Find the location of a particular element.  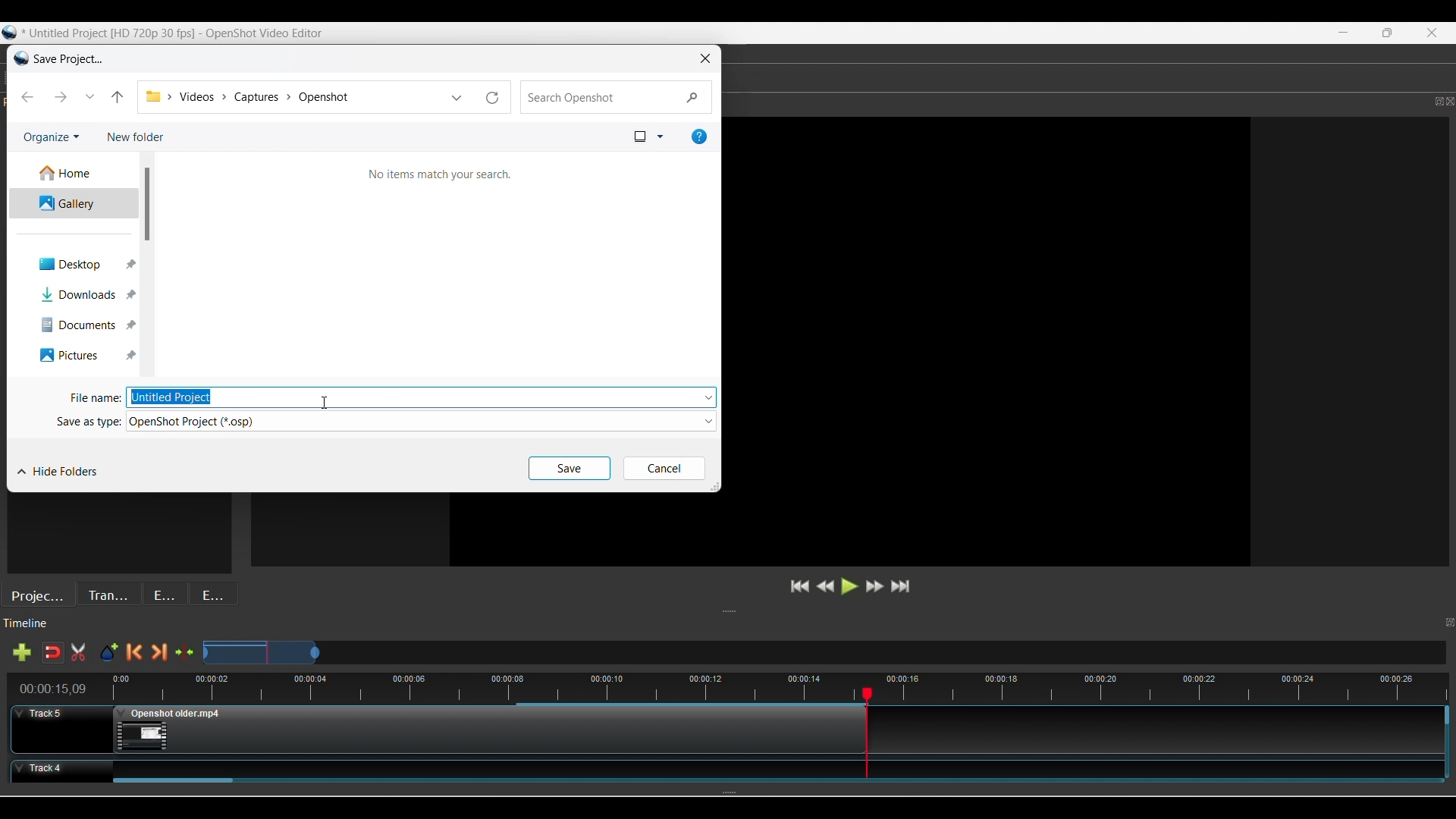

Cancel inputs made is located at coordinates (664, 469).